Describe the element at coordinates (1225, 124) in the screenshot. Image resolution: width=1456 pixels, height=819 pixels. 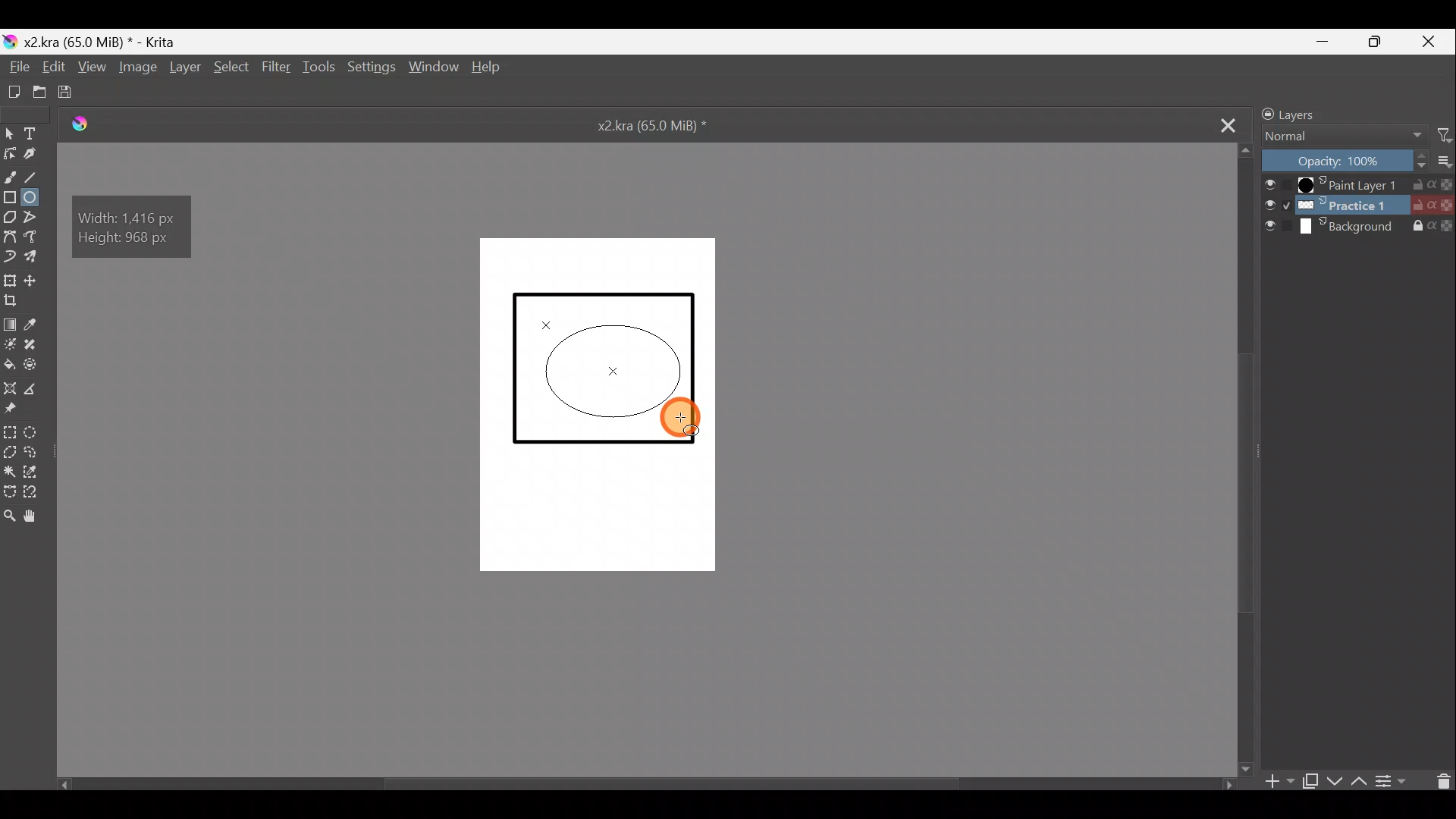
I see `Close tab` at that location.